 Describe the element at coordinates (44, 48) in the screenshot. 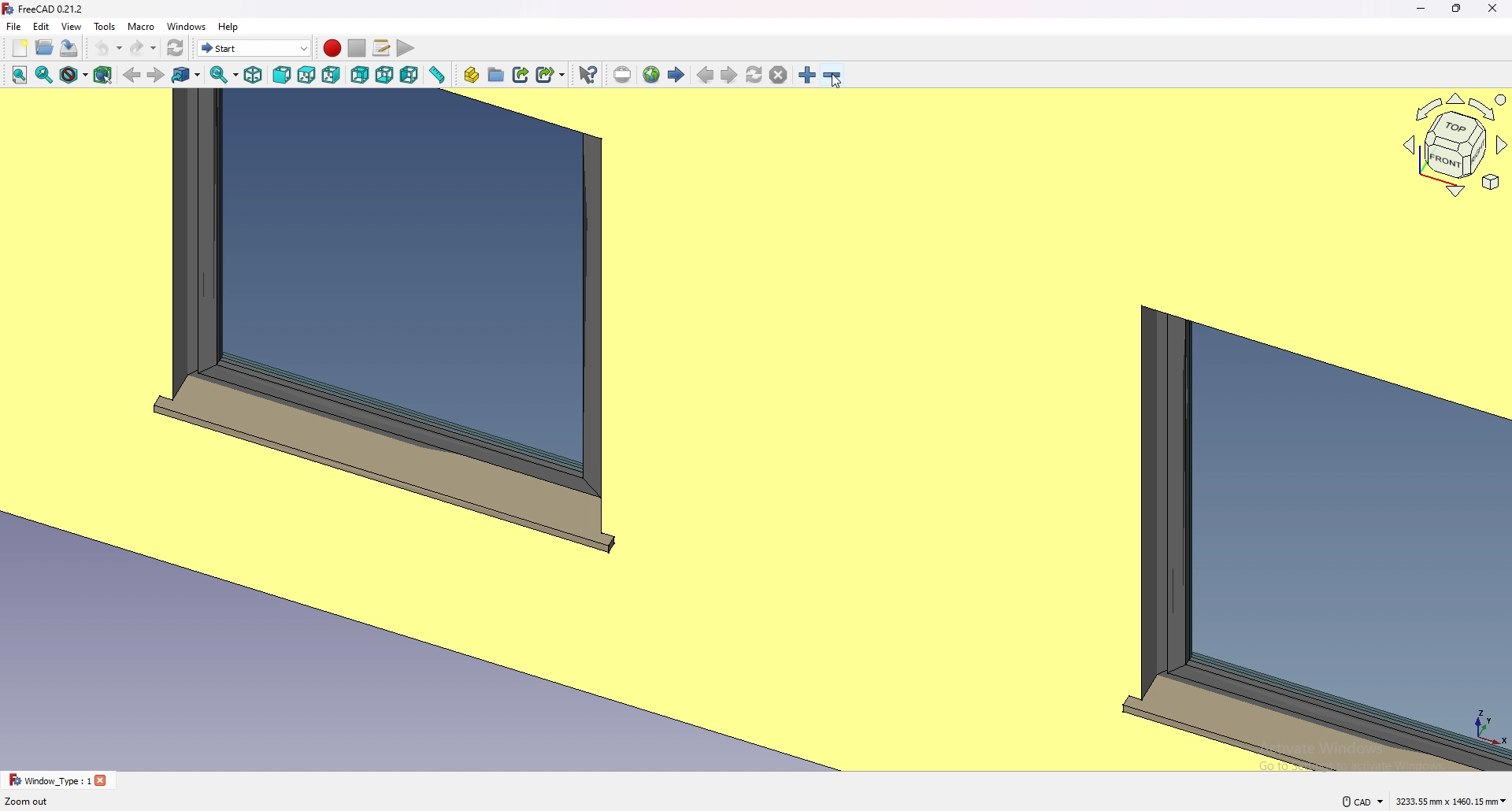

I see `open` at that location.